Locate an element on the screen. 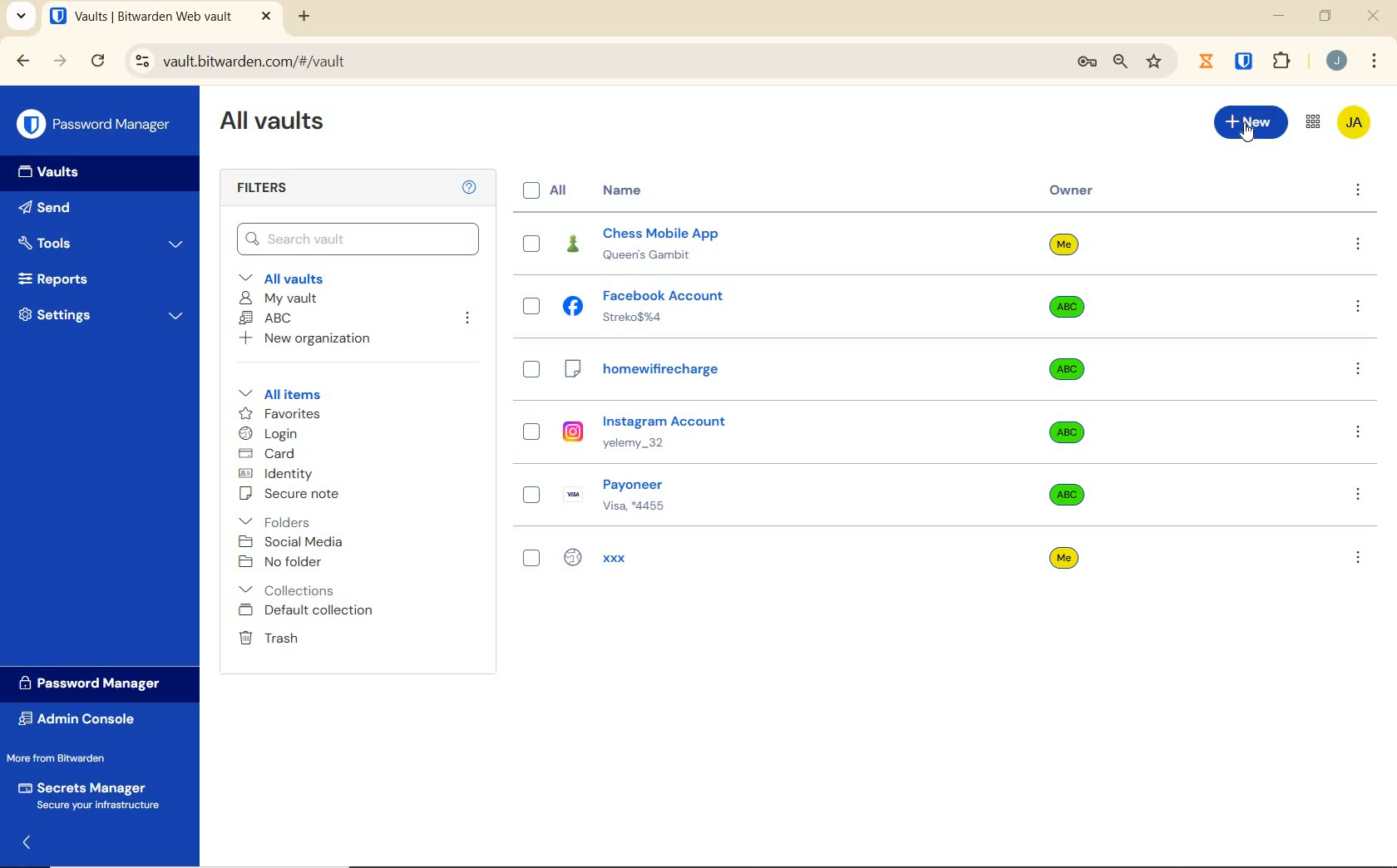  Password Manager is located at coordinates (99, 683).